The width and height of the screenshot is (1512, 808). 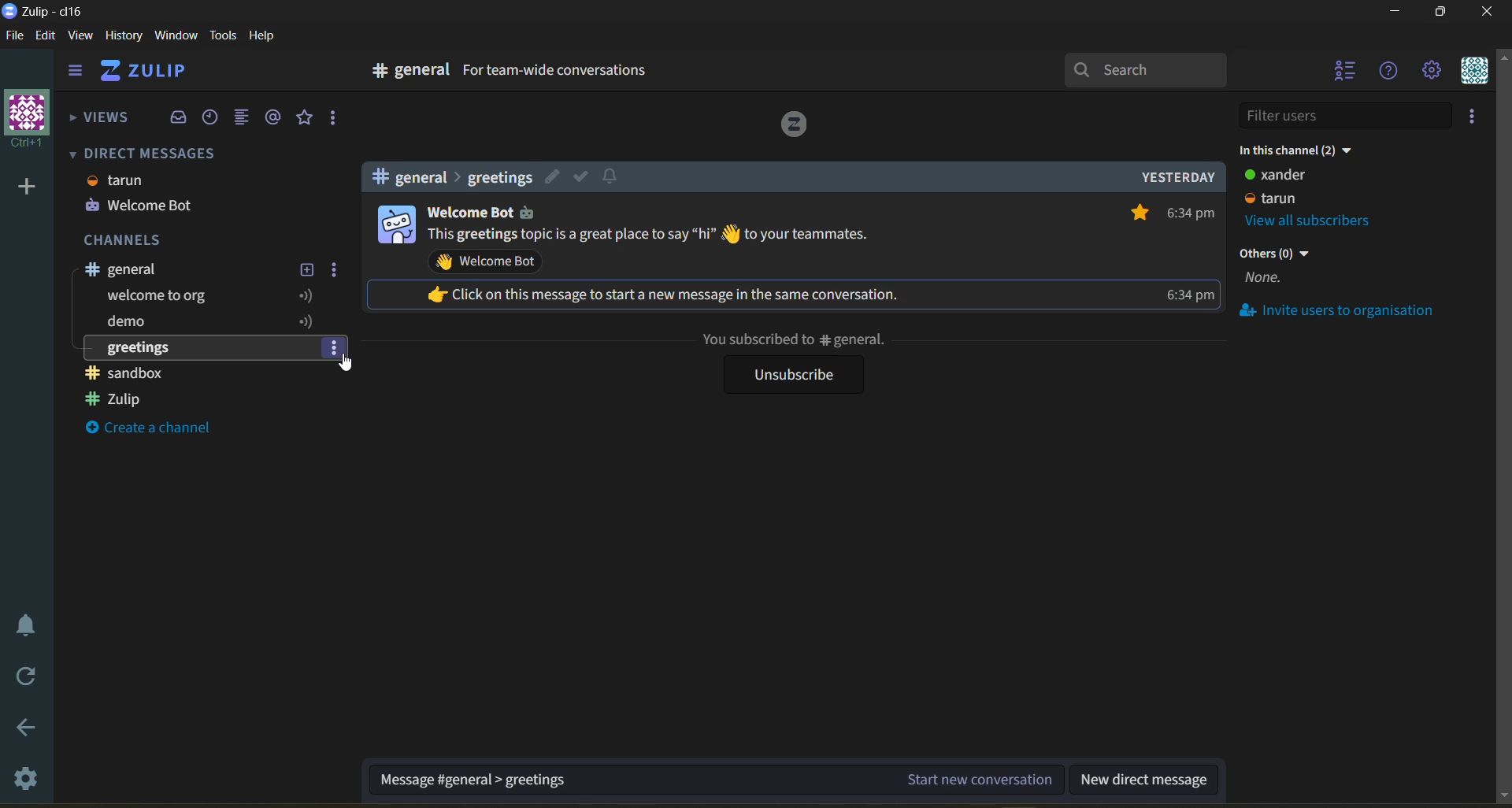 I want to click on app name and organisation name, so click(x=49, y=14).